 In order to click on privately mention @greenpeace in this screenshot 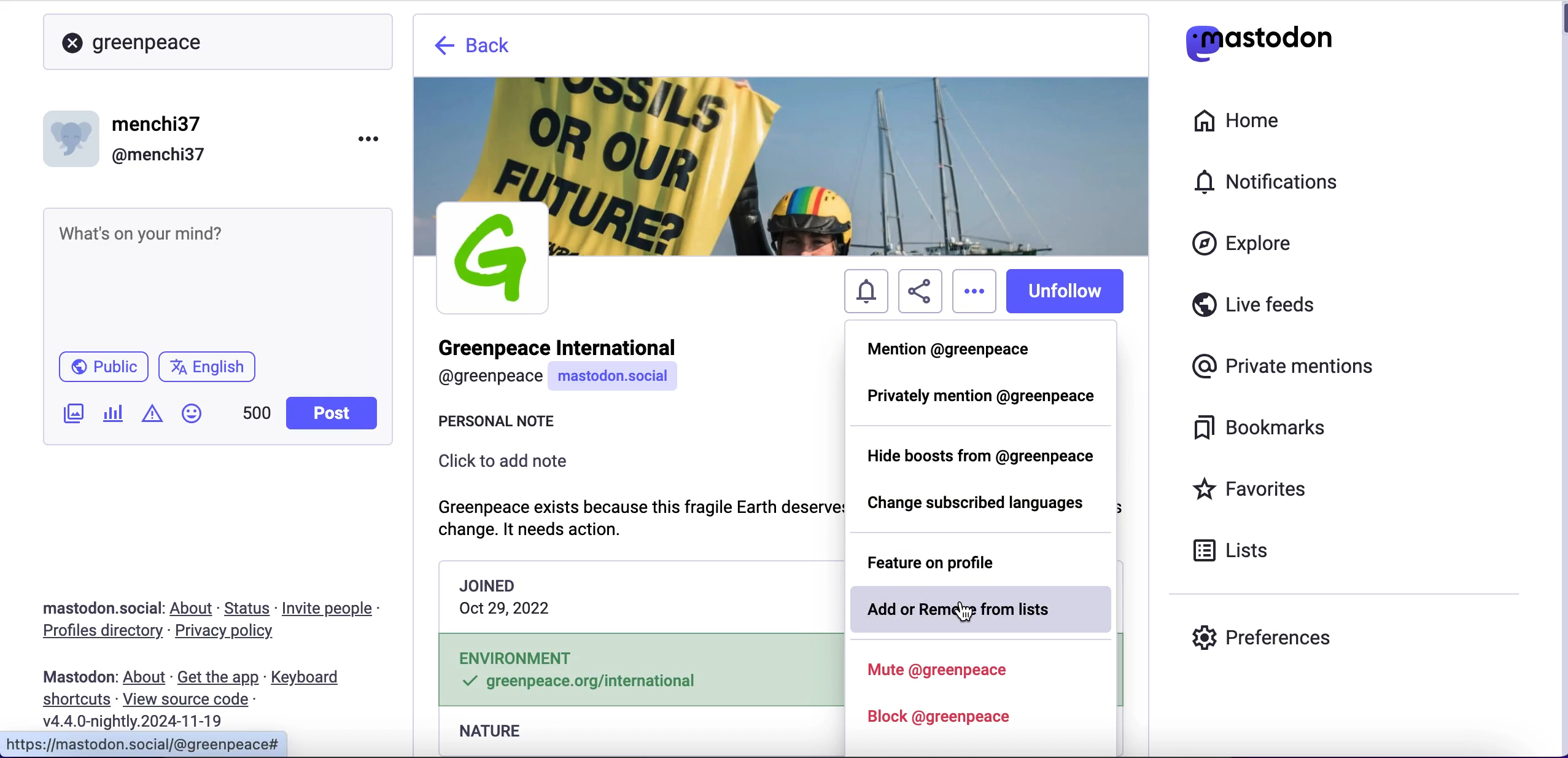, I will do `click(983, 397)`.